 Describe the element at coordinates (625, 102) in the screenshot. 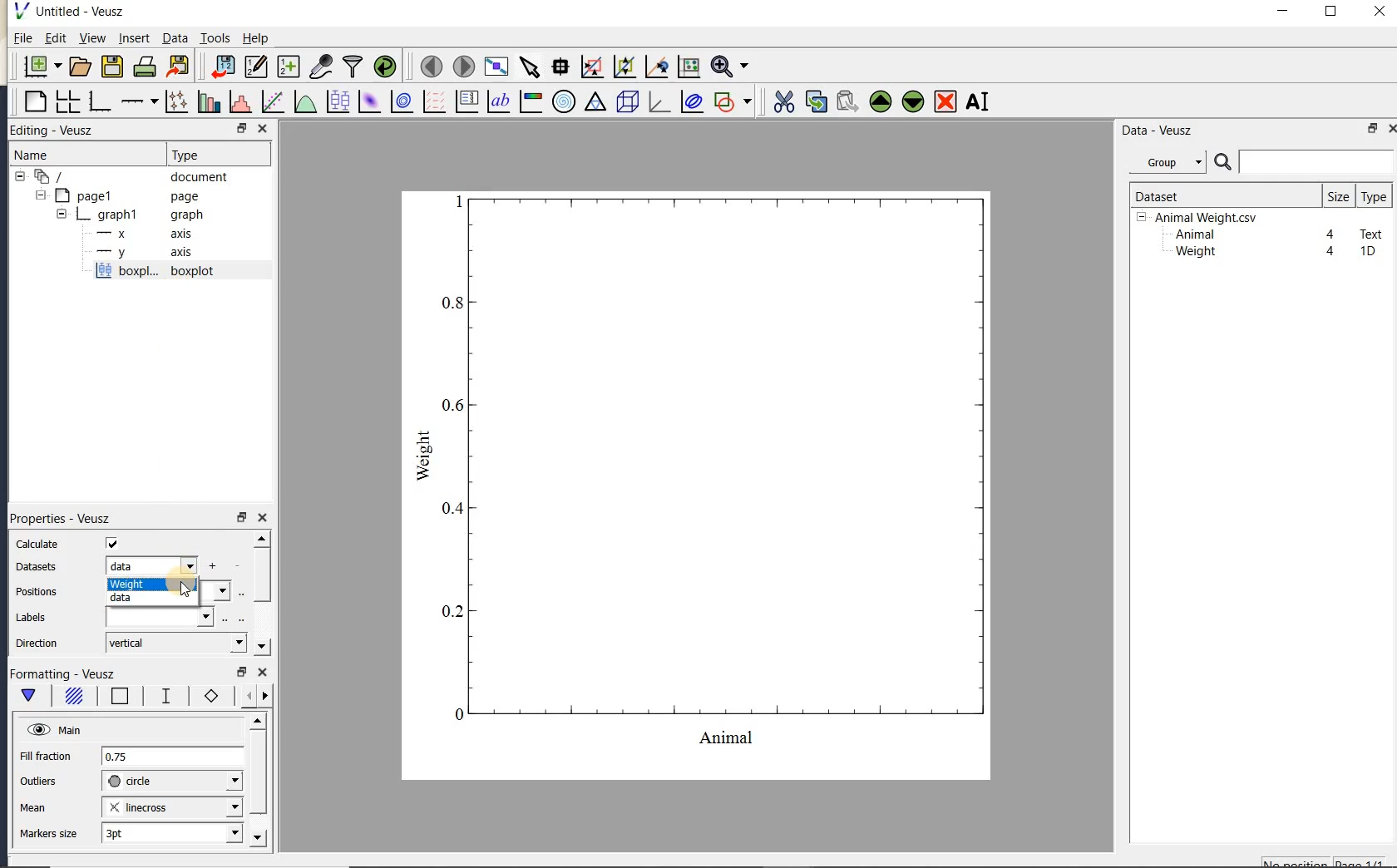

I see `3d scene` at that location.